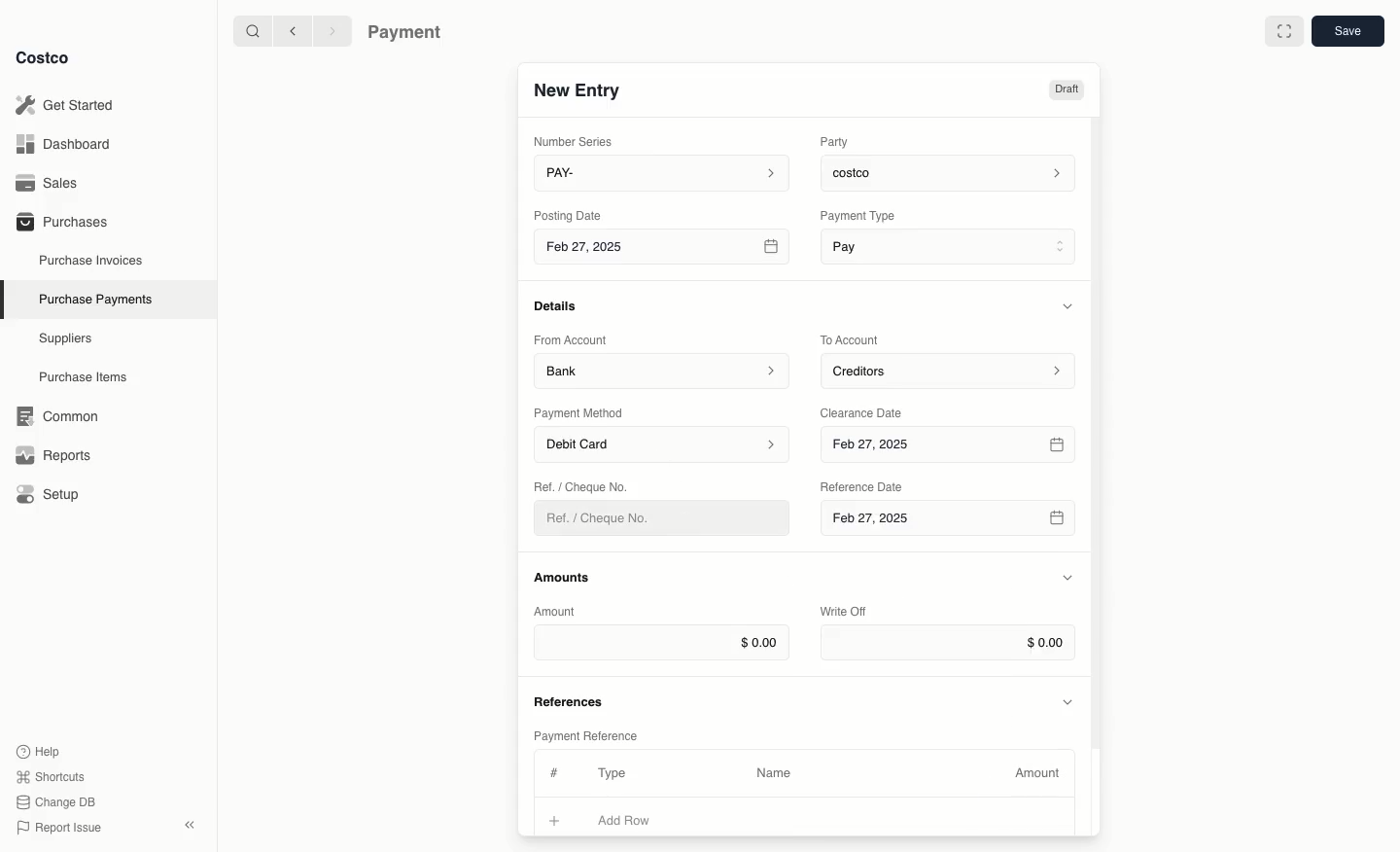 This screenshot has width=1400, height=852. Describe the element at coordinates (951, 245) in the screenshot. I see `Pay` at that location.